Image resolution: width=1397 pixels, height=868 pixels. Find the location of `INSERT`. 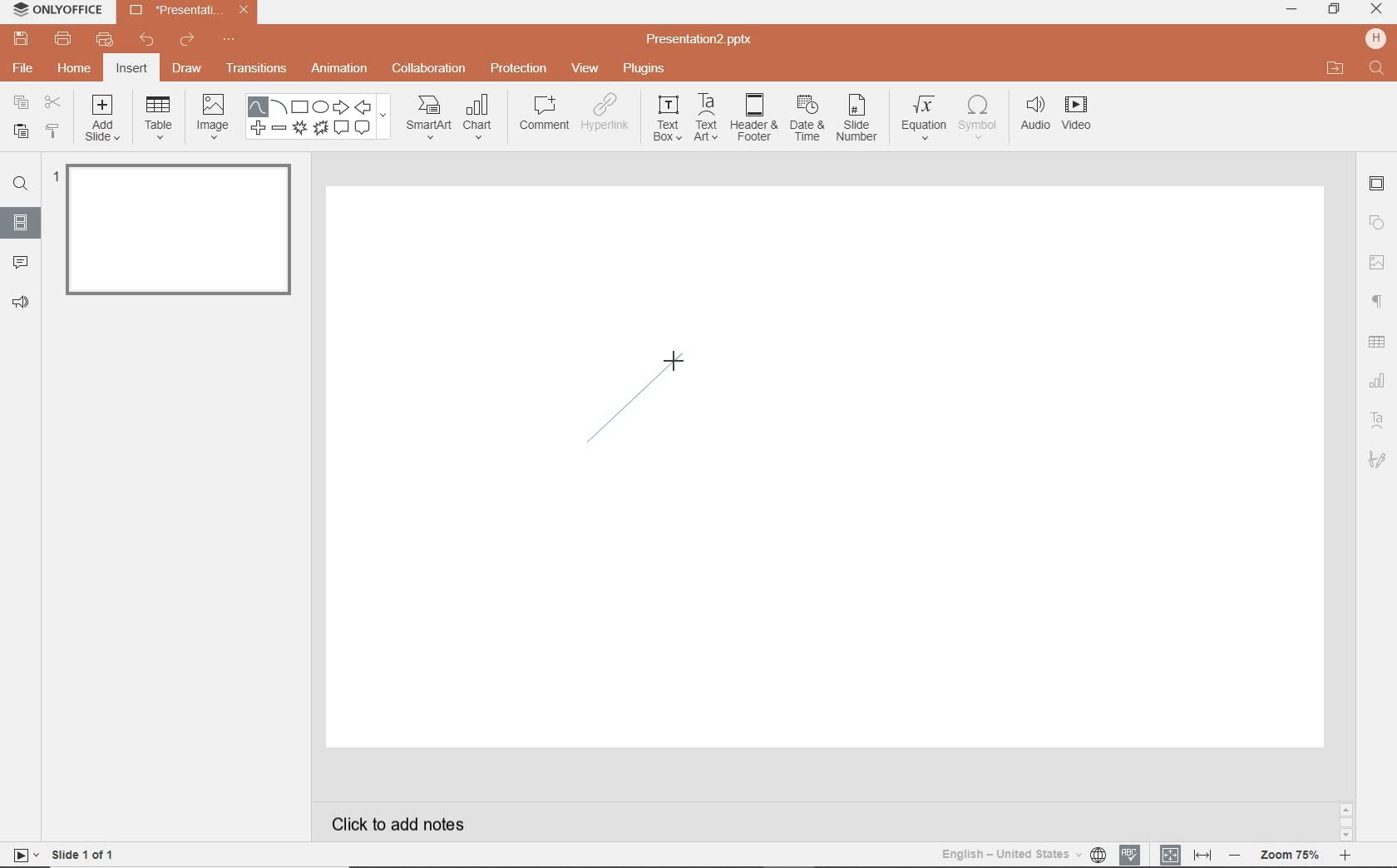

INSERT is located at coordinates (132, 69).